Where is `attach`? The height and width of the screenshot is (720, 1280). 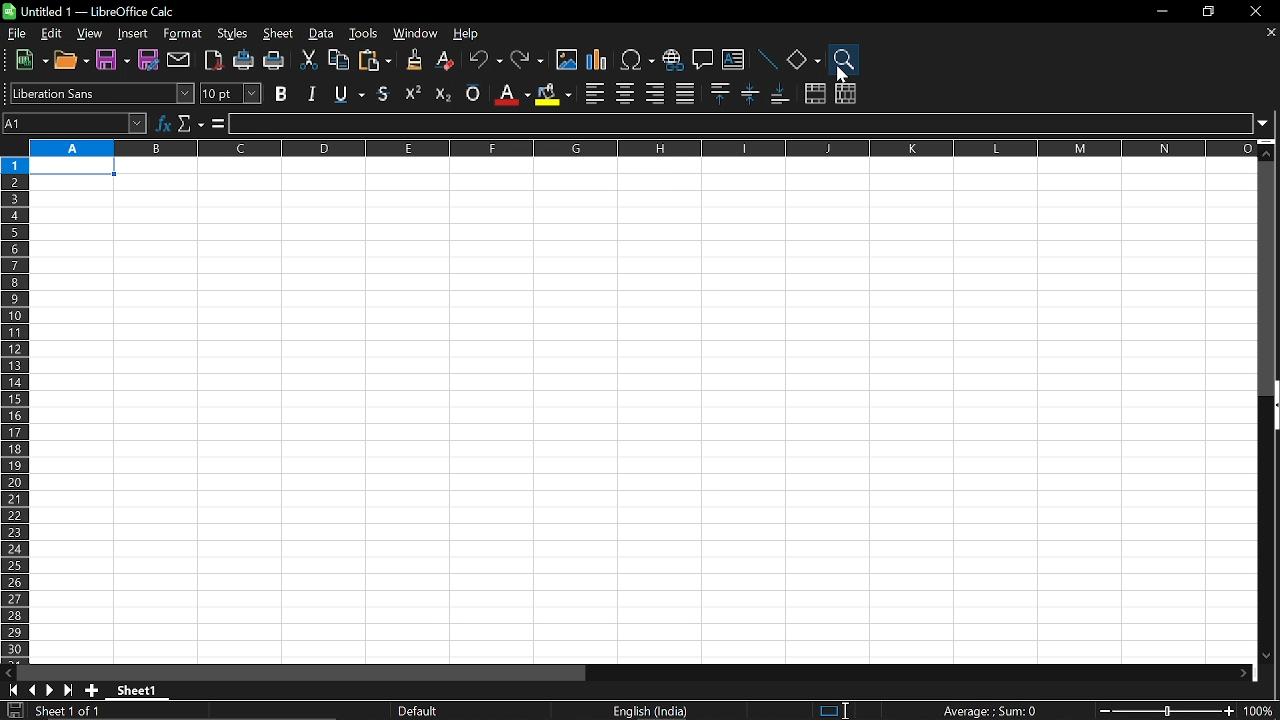
attach is located at coordinates (180, 61).